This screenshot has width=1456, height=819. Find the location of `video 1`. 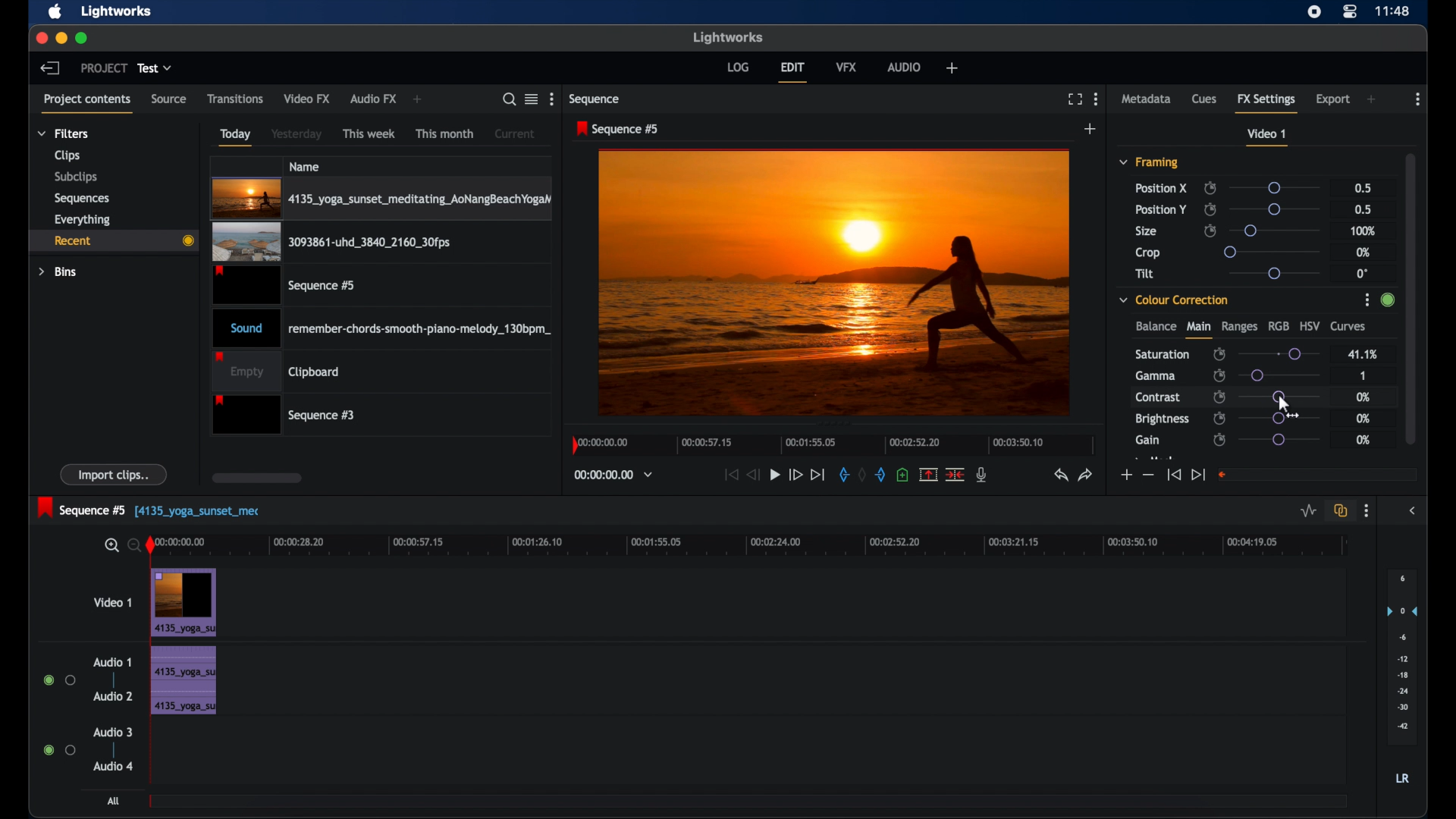

video 1 is located at coordinates (1268, 137).